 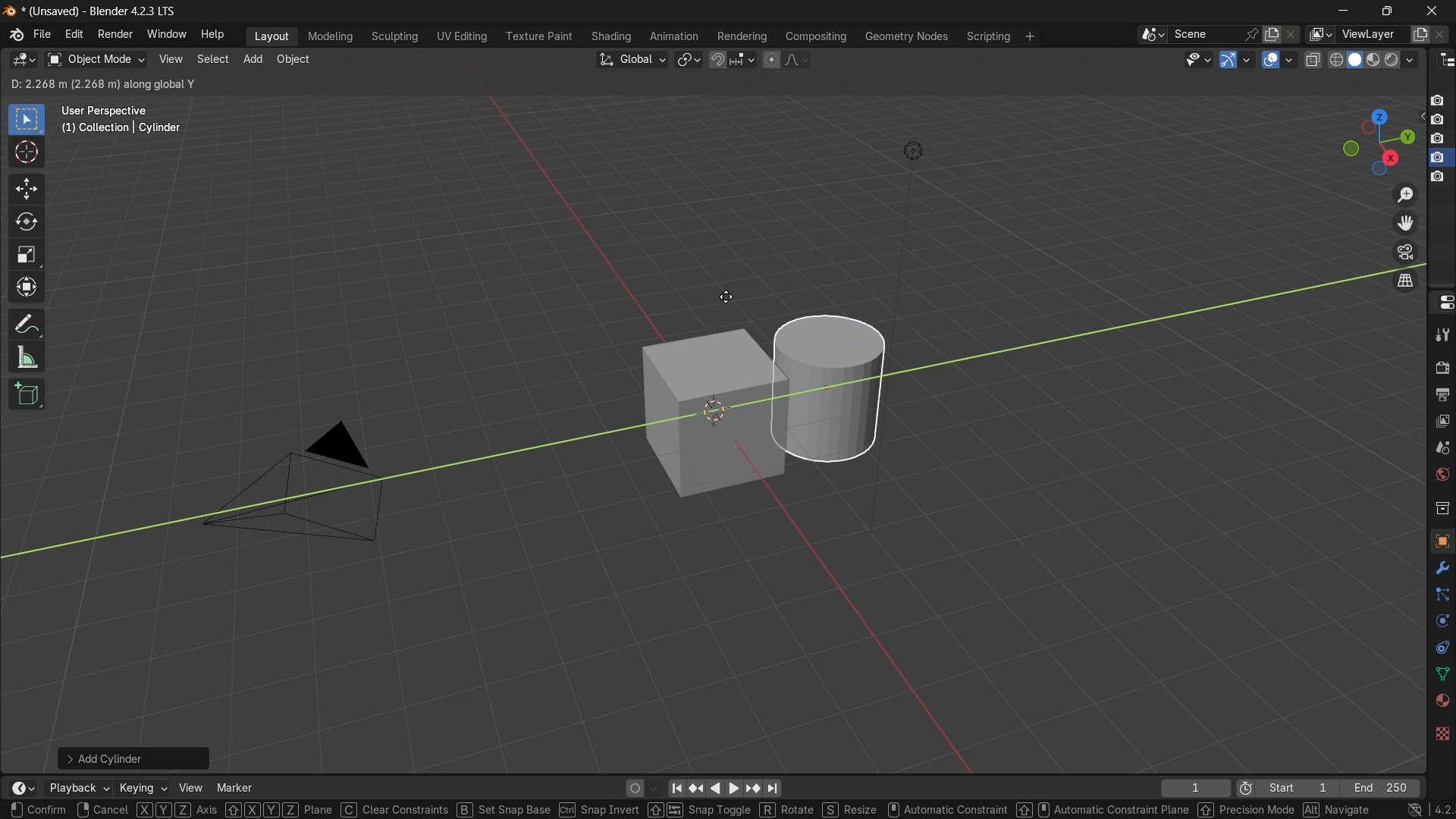 What do you see at coordinates (1439, 508) in the screenshot?
I see `collection` at bounding box center [1439, 508].